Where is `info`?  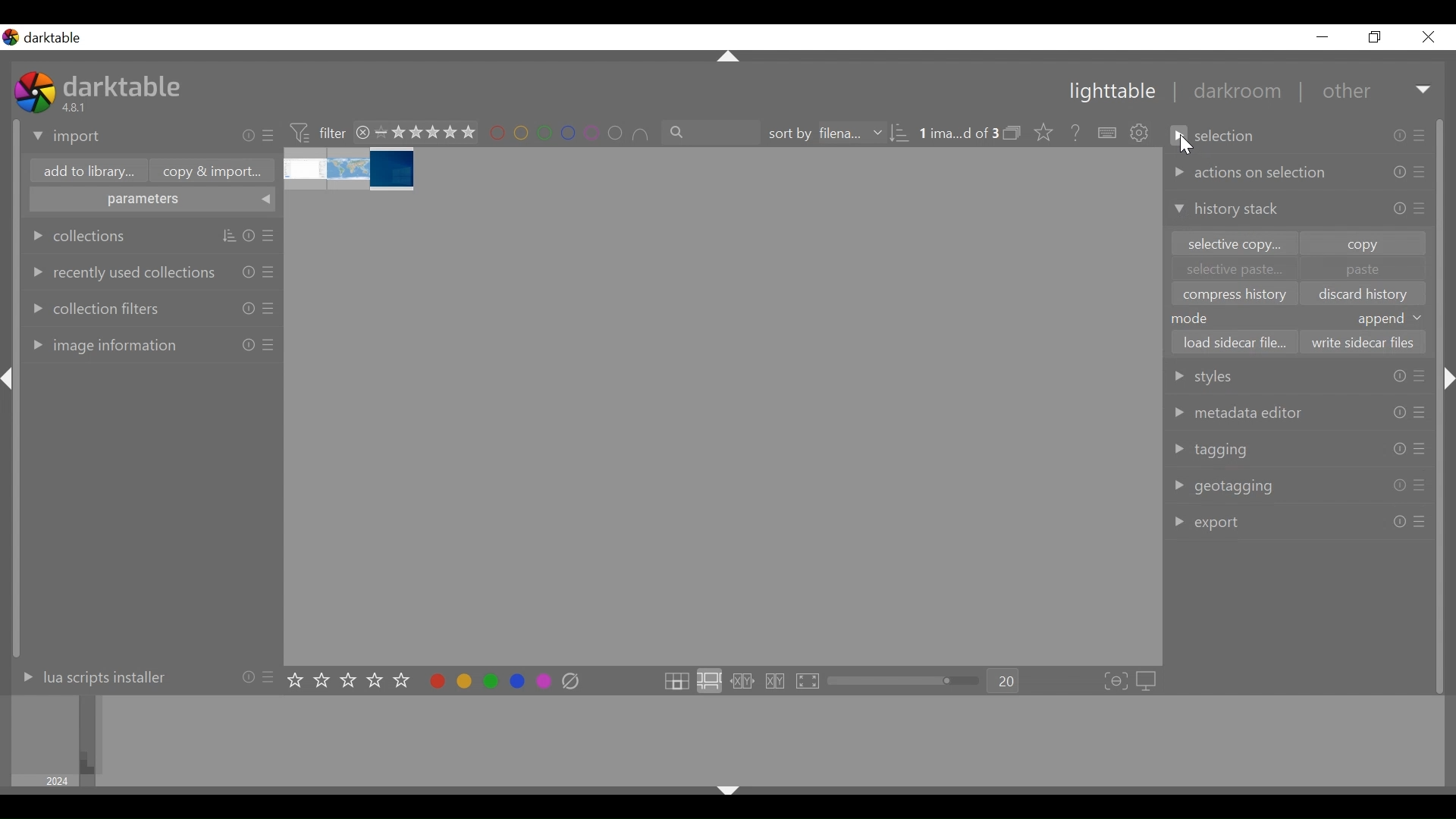 info is located at coordinates (1398, 209).